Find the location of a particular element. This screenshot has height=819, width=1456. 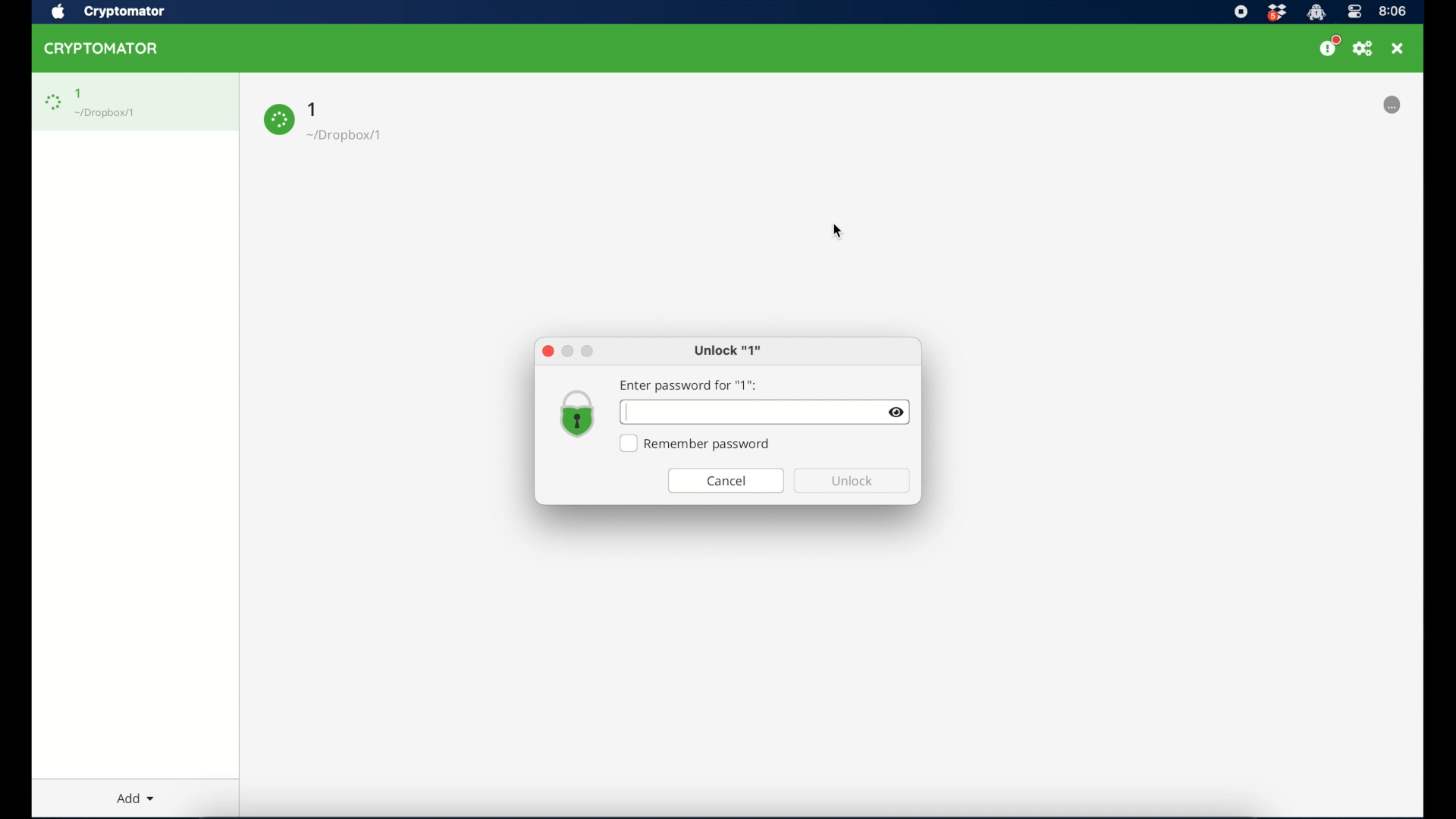

close is located at coordinates (547, 351).